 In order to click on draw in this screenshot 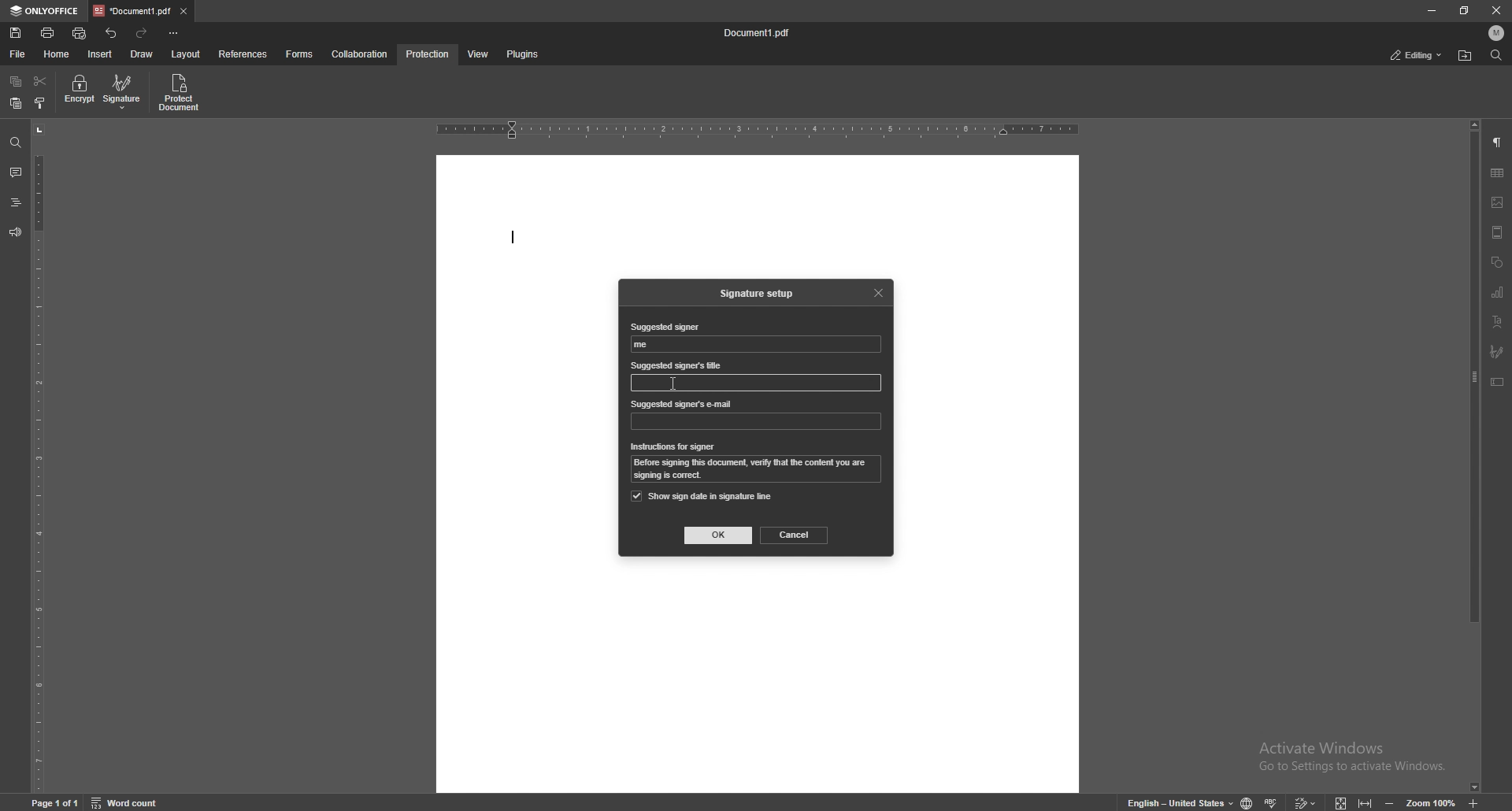, I will do `click(142, 54)`.